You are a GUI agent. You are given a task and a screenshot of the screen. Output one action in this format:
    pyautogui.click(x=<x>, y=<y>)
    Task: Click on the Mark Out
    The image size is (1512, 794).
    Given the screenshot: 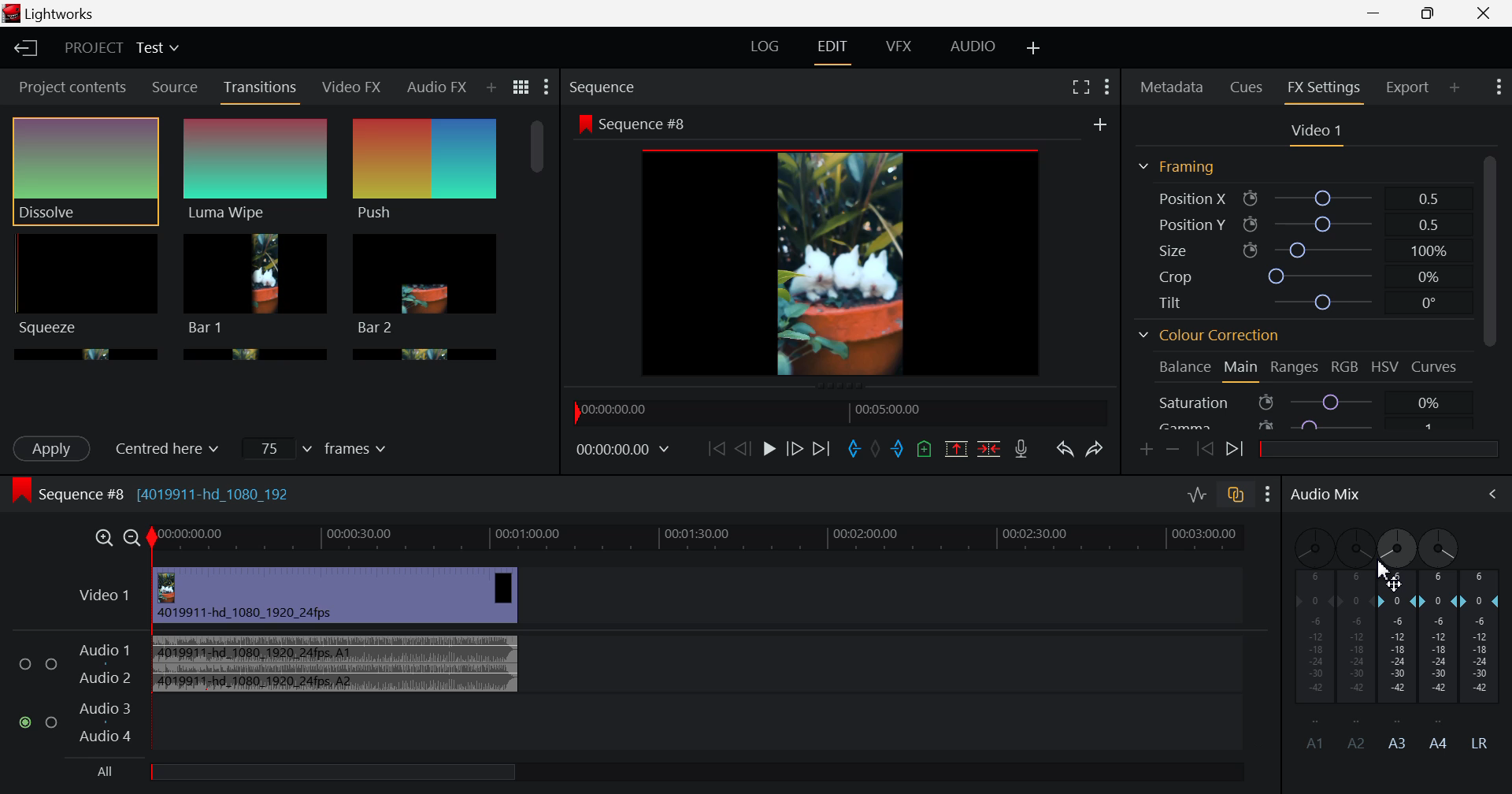 What is the action you would take?
    pyautogui.click(x=898, y=449)
    